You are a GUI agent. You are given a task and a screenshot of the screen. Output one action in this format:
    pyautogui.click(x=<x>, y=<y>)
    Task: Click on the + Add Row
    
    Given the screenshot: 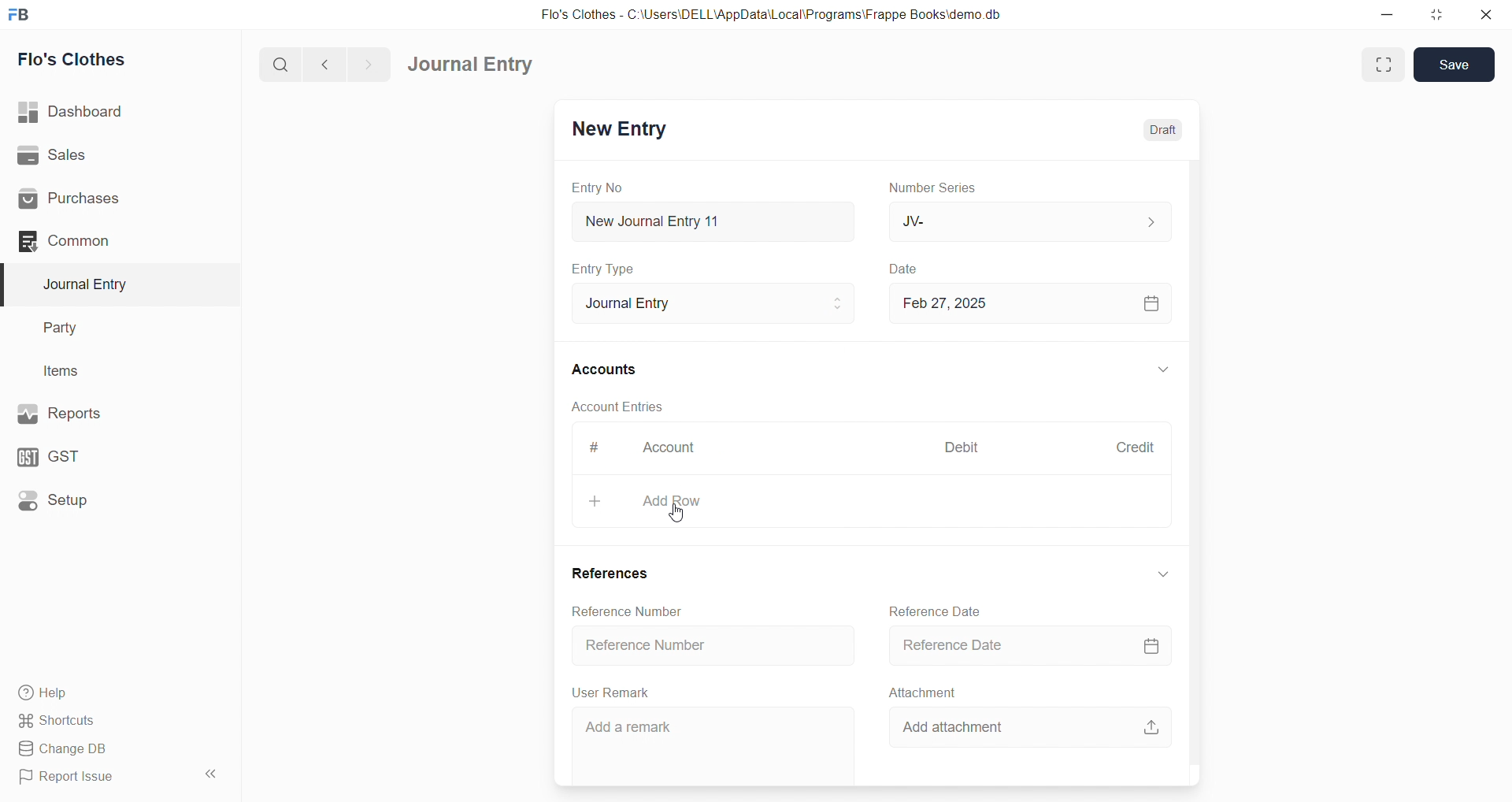 What is the action you would take?
    pyautogui.click(x=873, y=499)
    